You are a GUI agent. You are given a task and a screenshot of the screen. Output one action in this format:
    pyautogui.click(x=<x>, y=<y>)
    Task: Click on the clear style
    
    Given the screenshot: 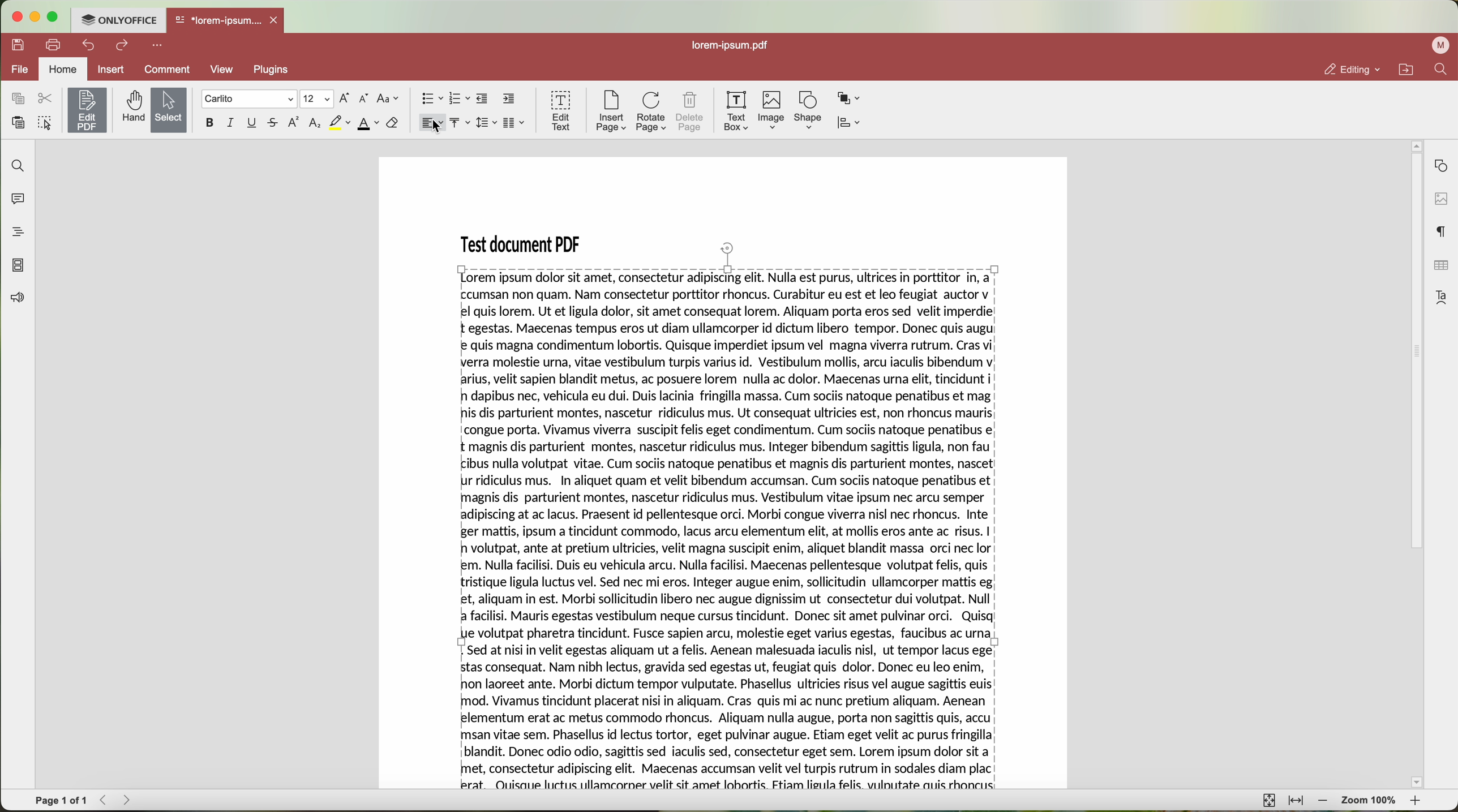 What is the action you would take?
    pyautogui.click(x=392, y=124)
    